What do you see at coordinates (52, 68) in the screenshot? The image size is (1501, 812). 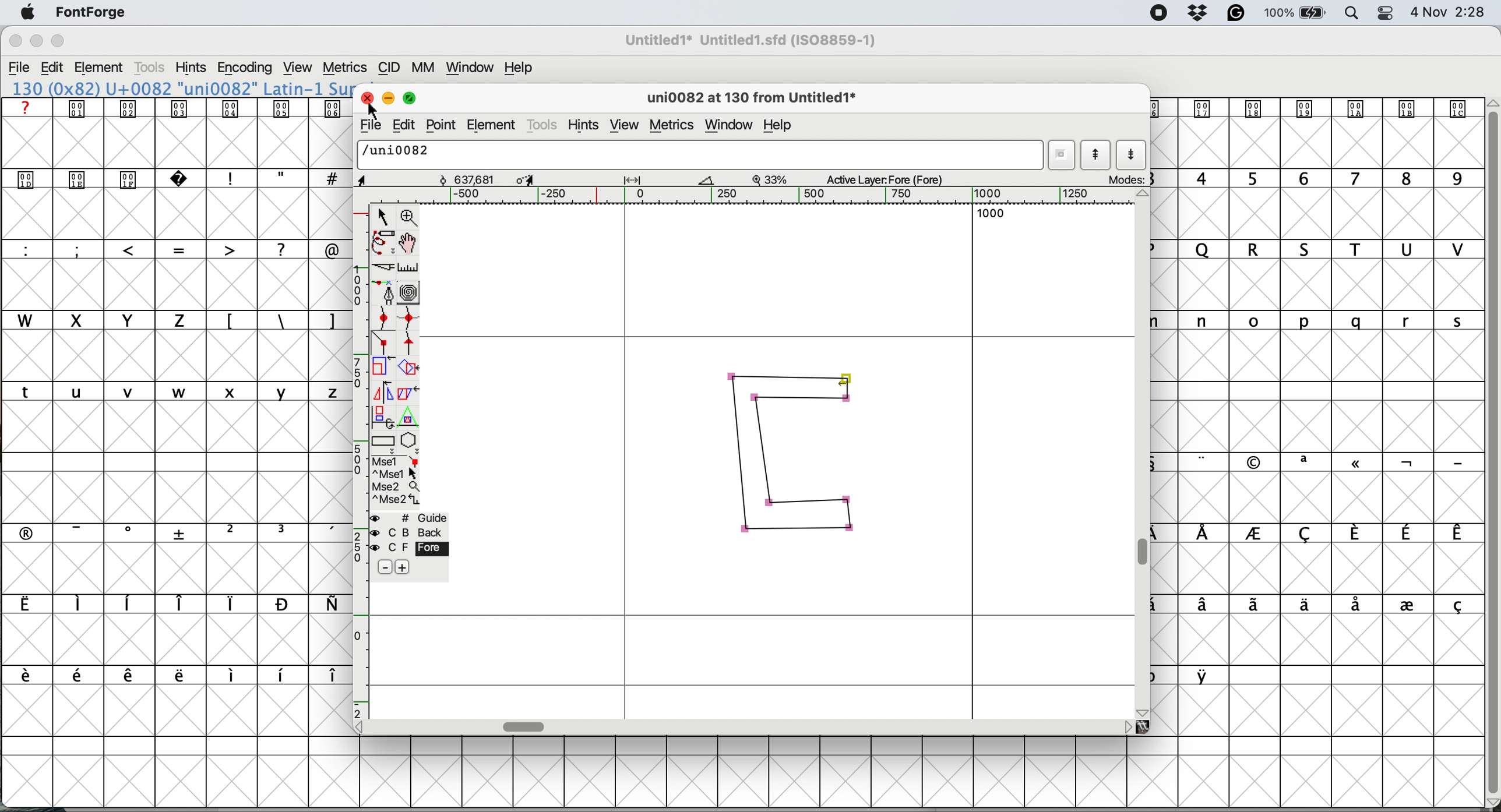 I see `edit` at bounding box center [52, 68].